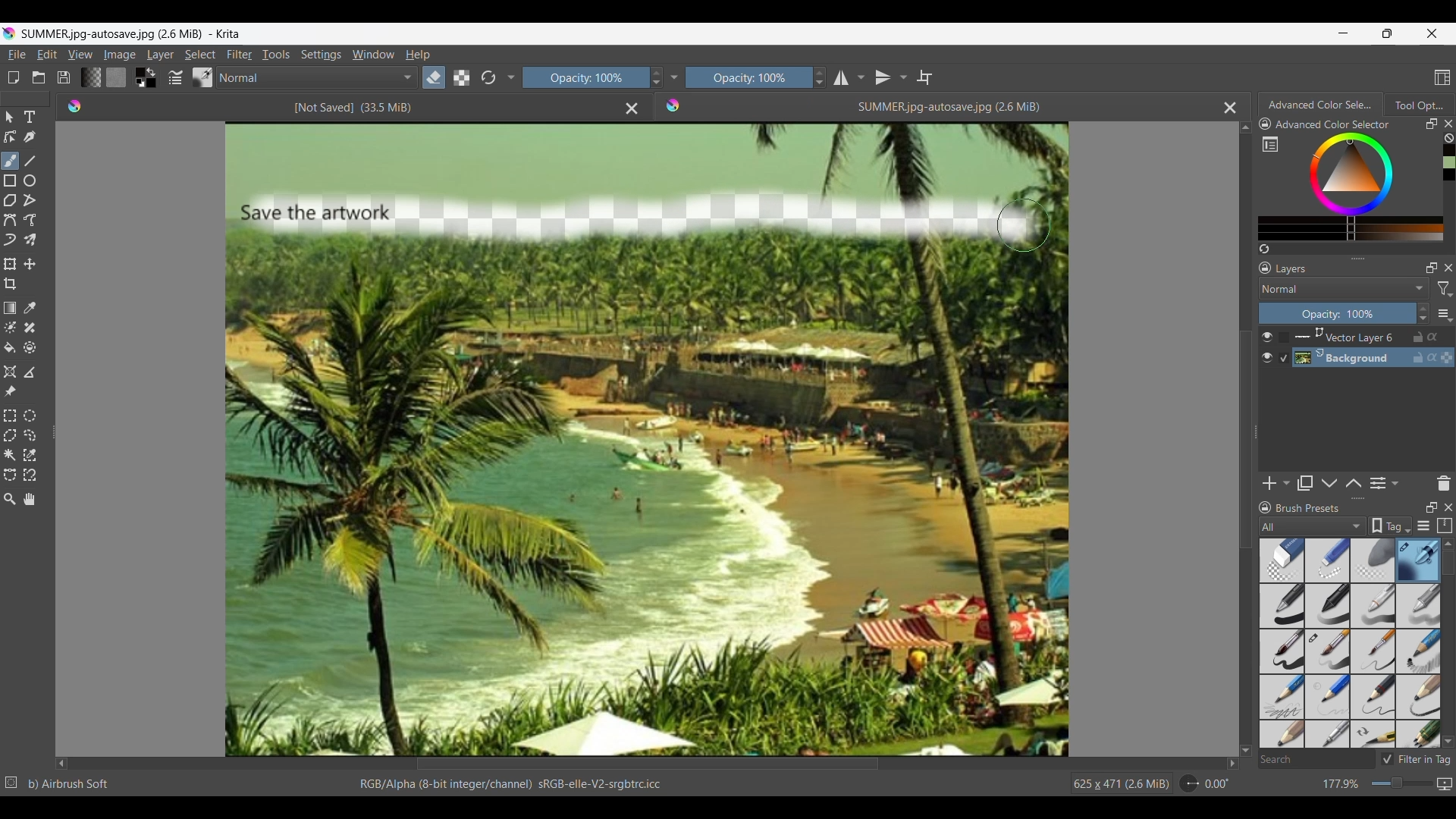 The height and width of the screenshot is (819, 1456). What do you see at coordinates (1342, 784) in the screenshot?
I see `177.9%` at bounding box center [1342, 784].